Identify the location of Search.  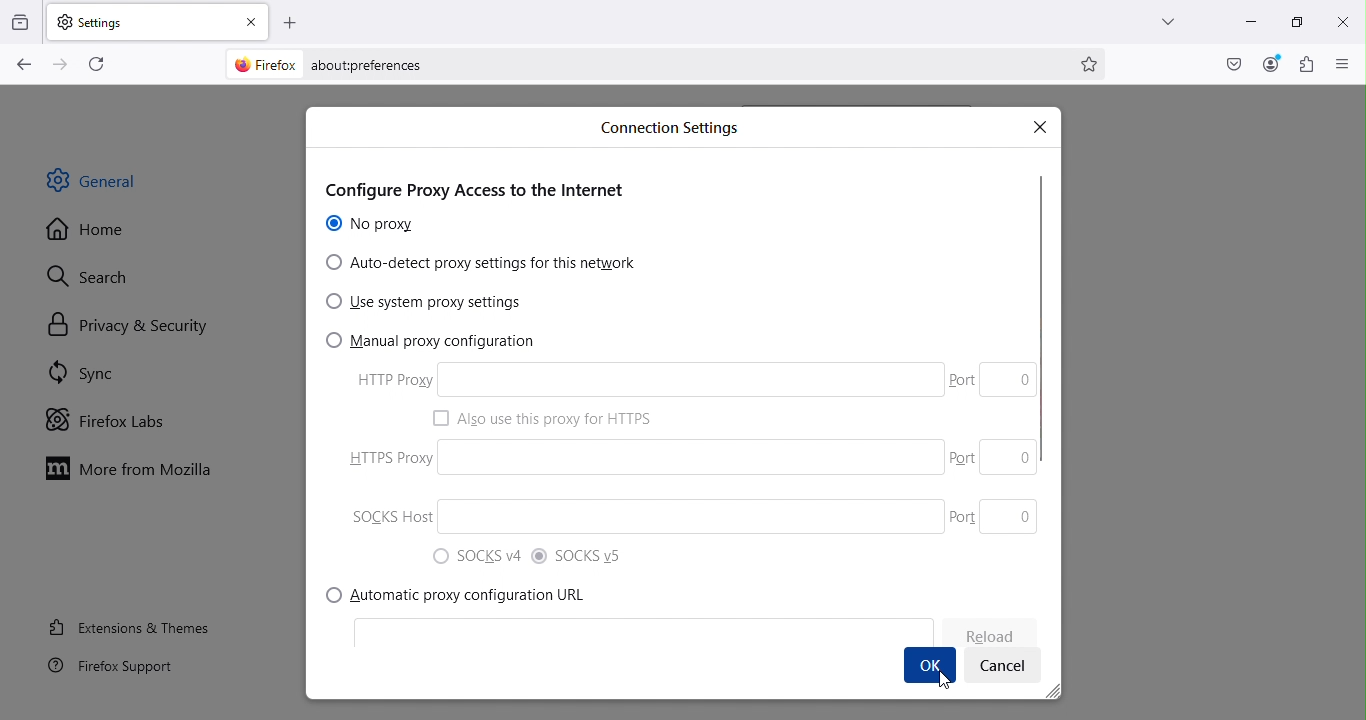
(113, 276).